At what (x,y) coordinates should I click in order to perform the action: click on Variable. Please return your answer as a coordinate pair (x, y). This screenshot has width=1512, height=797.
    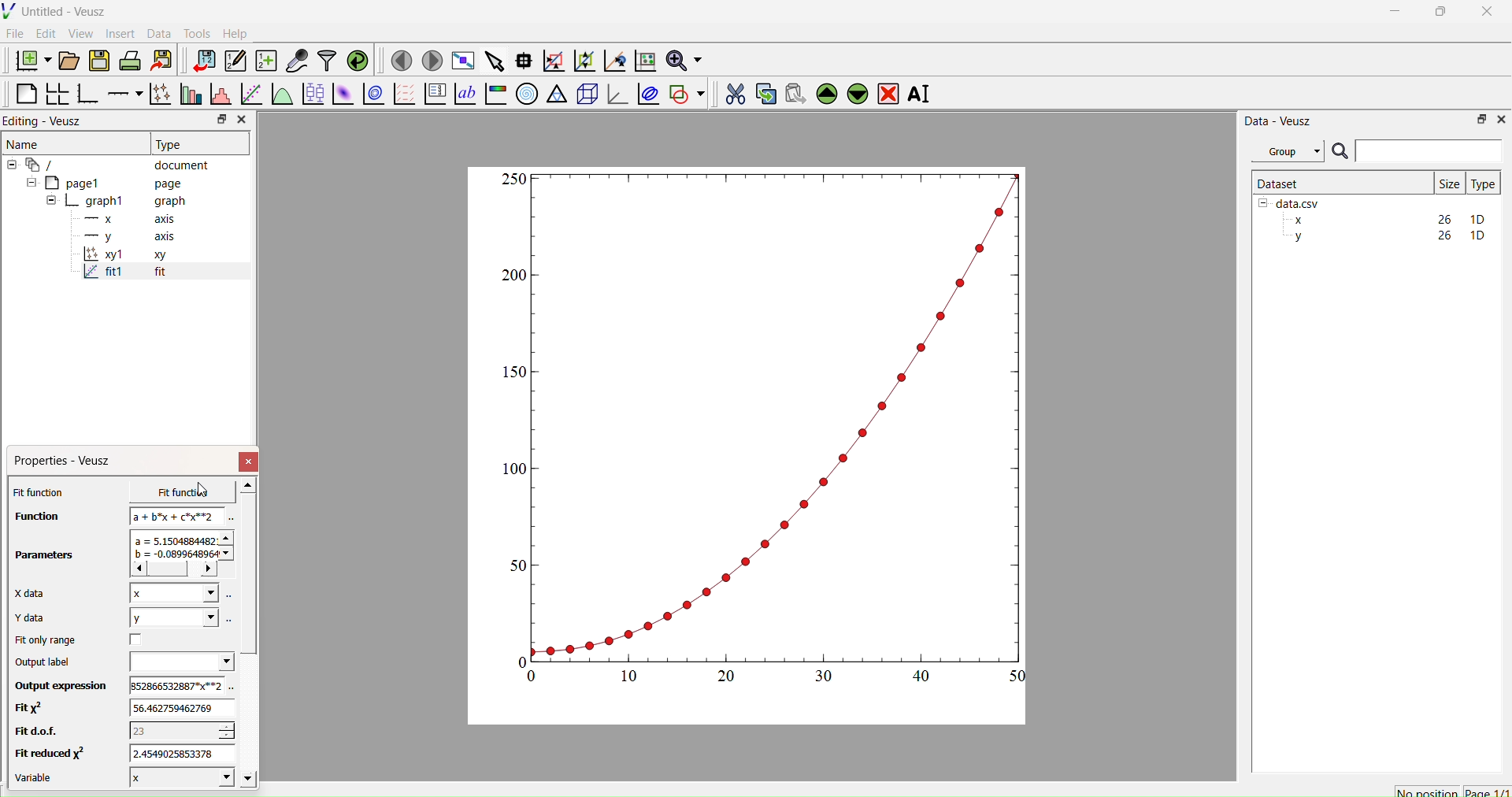
    Looking at the image, I should click on (41, 780).